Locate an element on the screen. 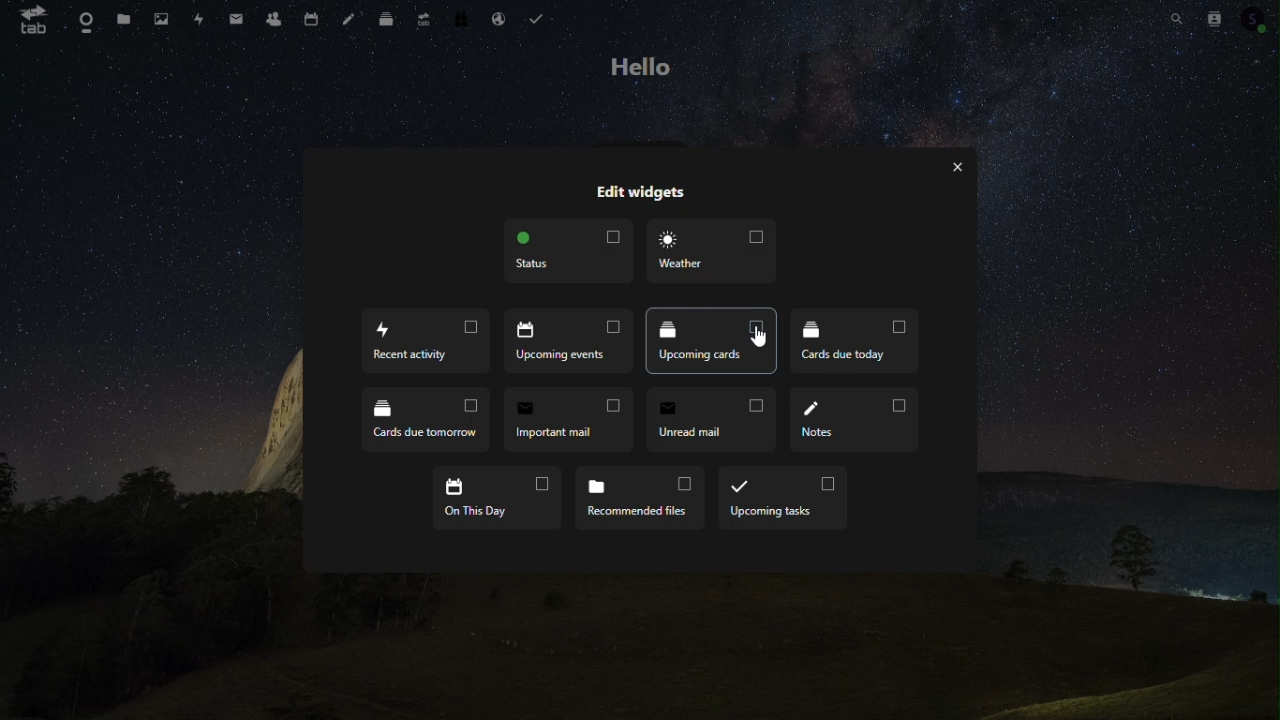  Email hosting is located at coordinates (498, 15).